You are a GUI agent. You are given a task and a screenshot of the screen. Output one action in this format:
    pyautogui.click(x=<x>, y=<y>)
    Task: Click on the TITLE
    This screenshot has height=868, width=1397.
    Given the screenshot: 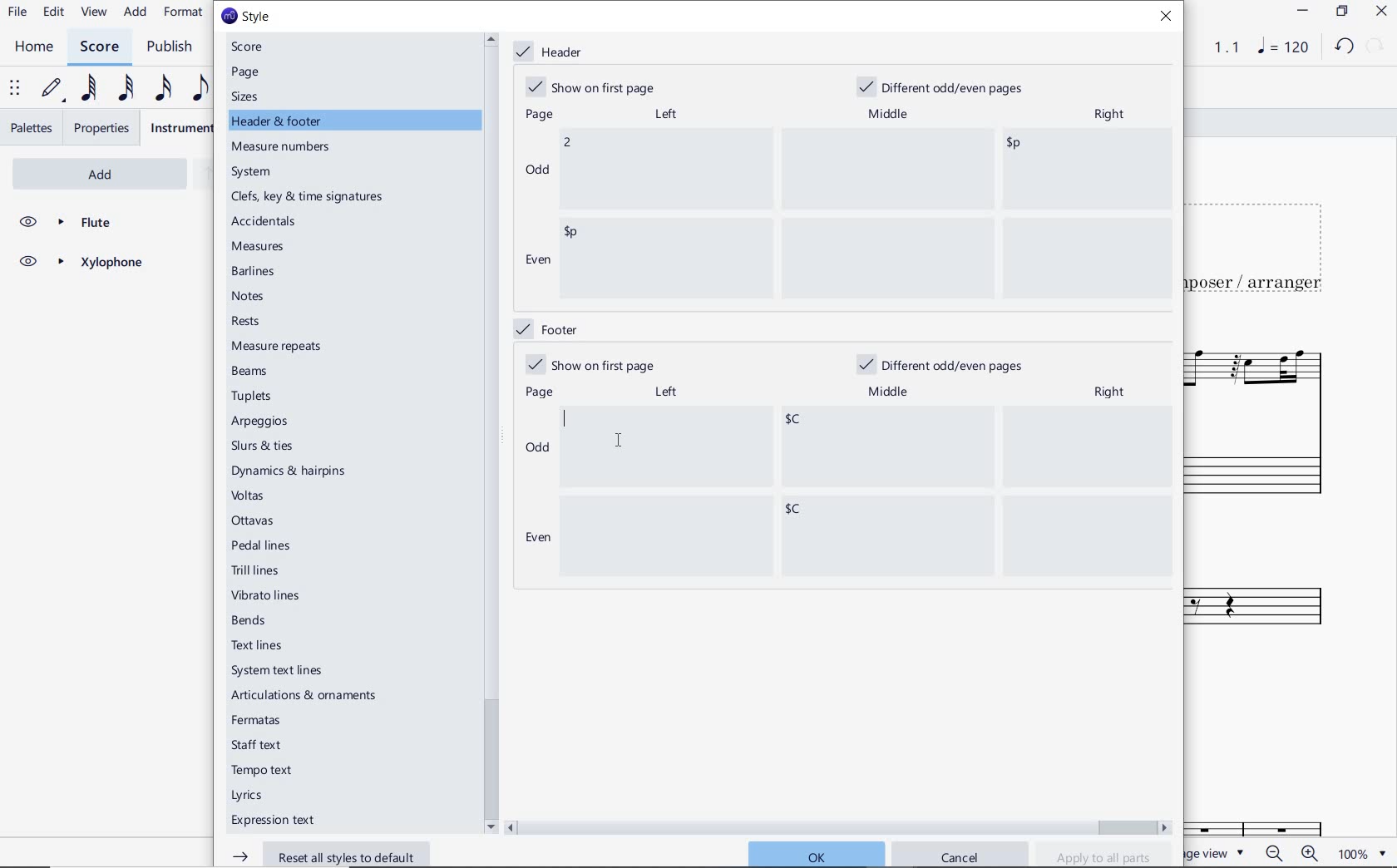 What is the action you would take?
    pyautogui.click(x=1266, y=242)
    